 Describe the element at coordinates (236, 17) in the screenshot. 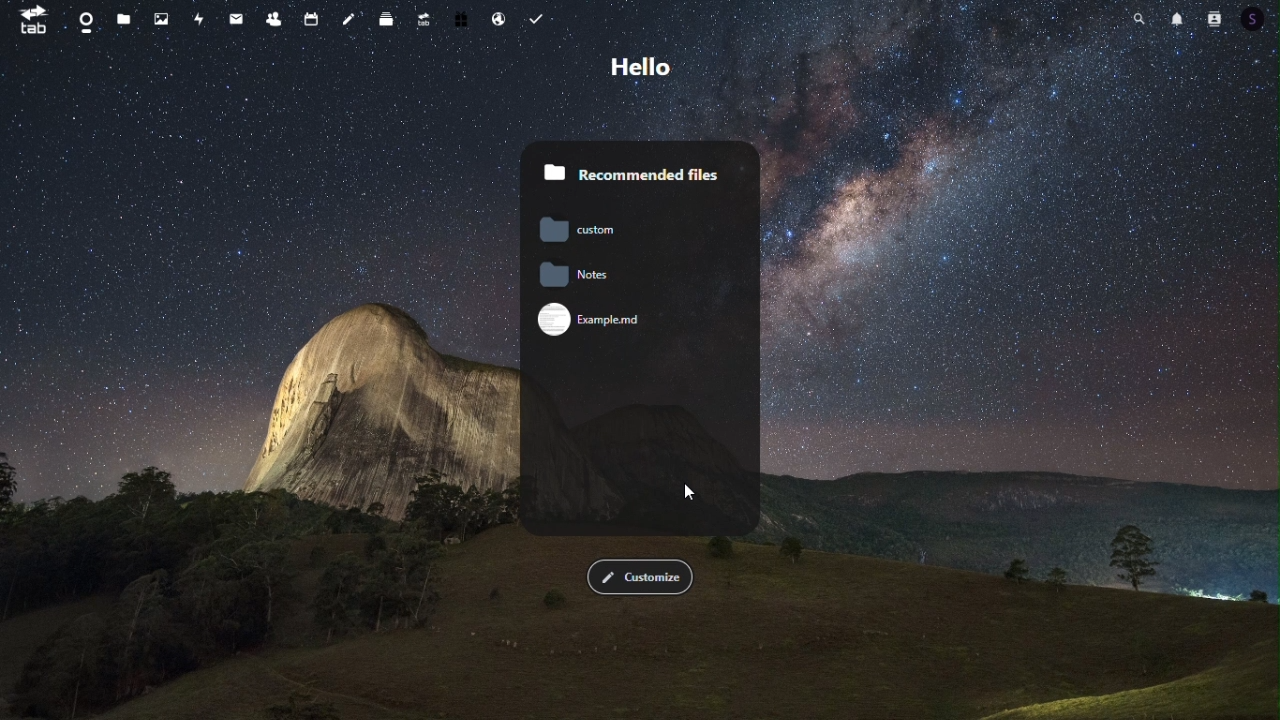

I see `mail` at that location.